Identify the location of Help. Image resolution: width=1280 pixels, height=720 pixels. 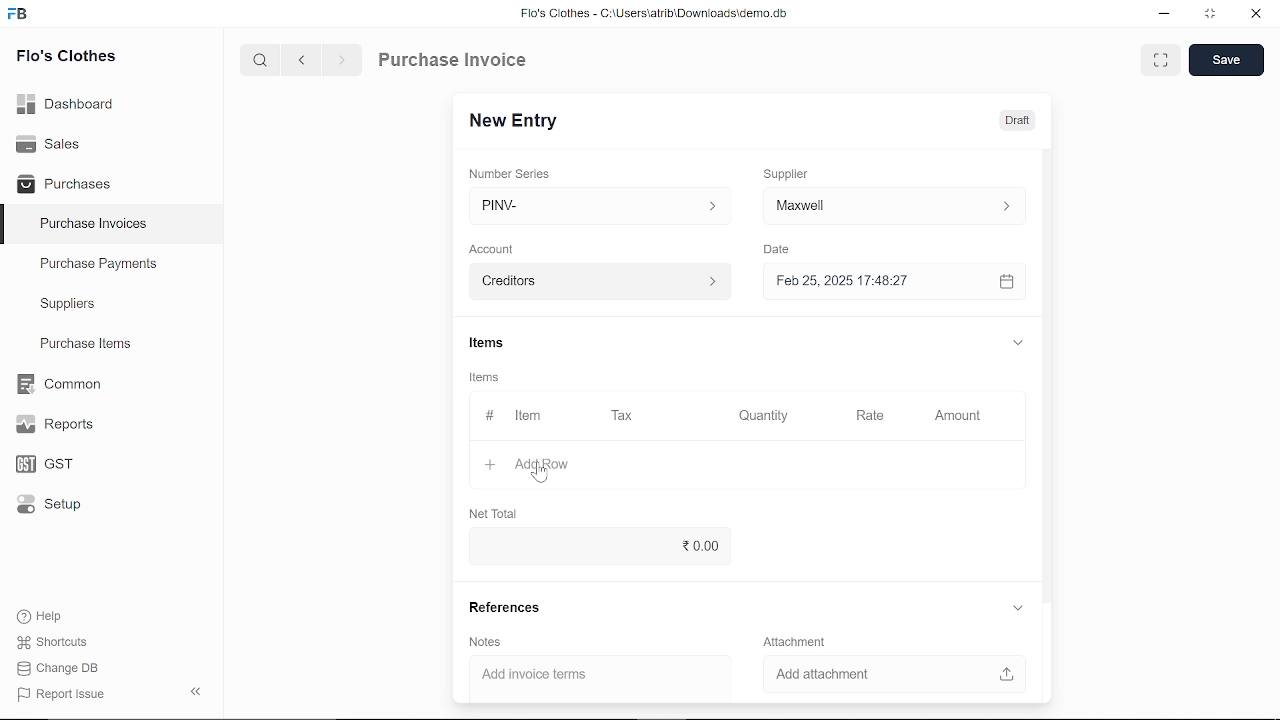
(42, 616).